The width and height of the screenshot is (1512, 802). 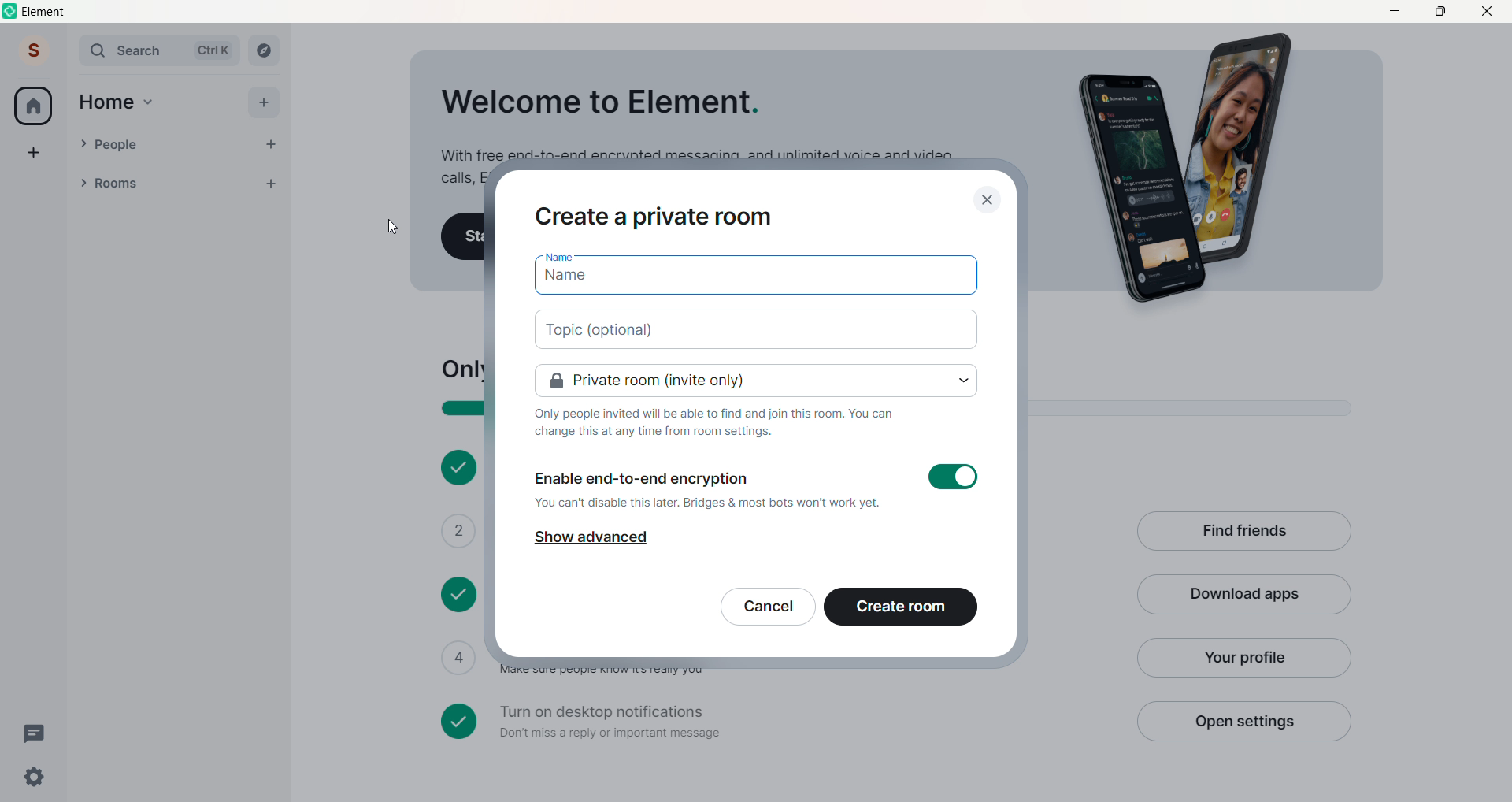 What do you see at coordinates (276, 181) in the screenshot?
I see `Add room` at bounding box center [276, 181].